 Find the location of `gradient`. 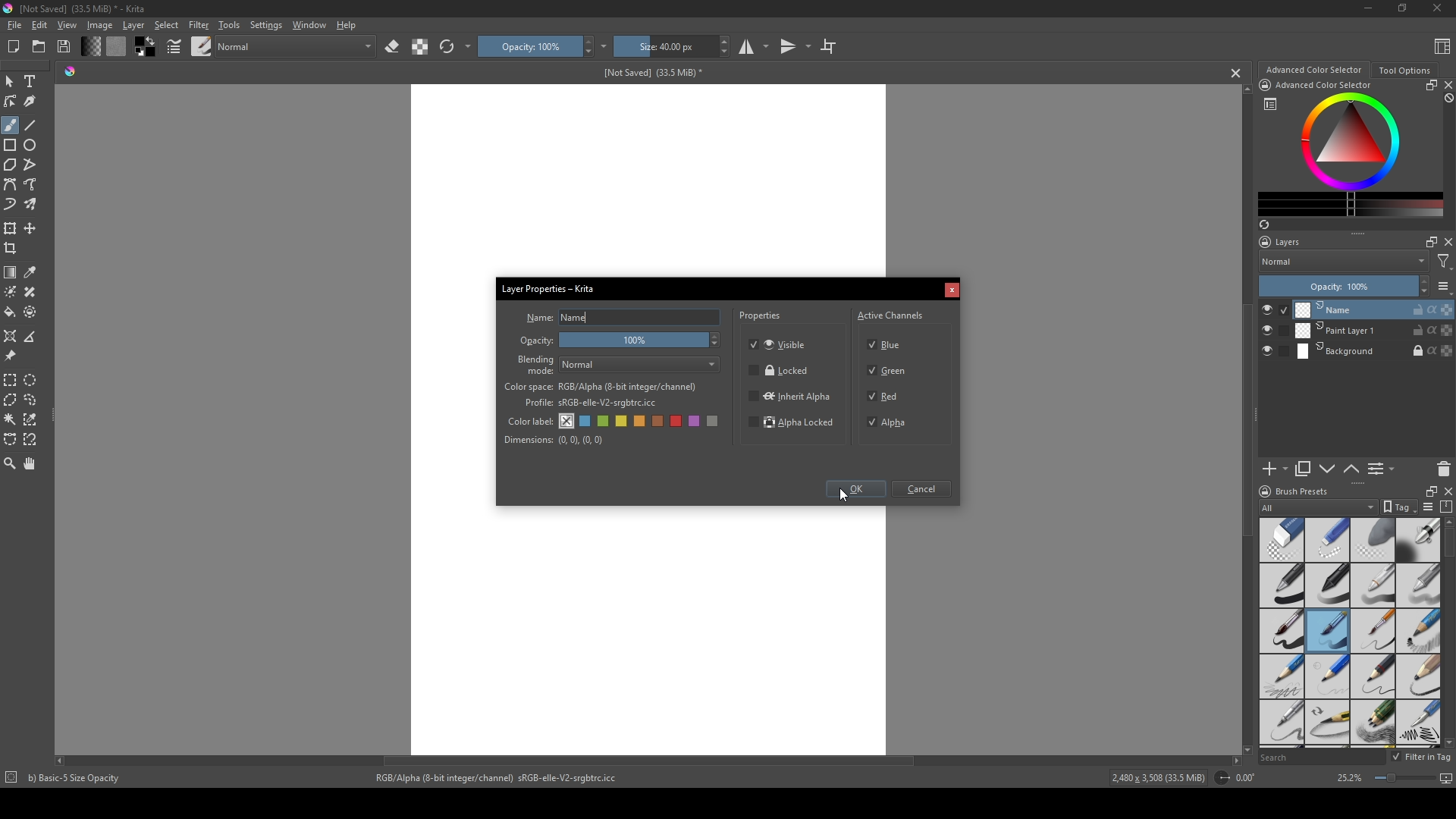

gradient is located at coordinates (11, 272).